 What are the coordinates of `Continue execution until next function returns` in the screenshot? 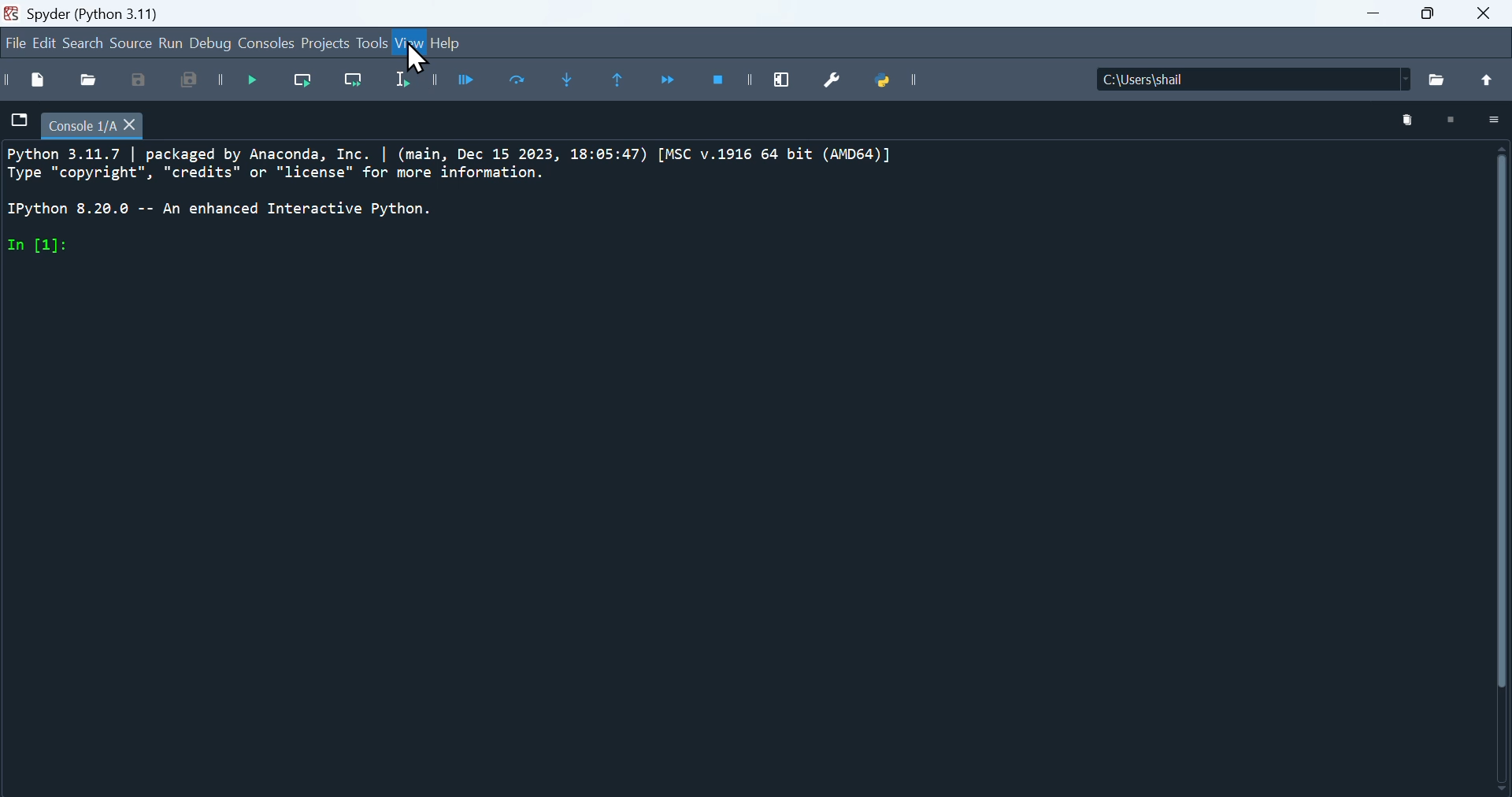 It's located at (676, 82).